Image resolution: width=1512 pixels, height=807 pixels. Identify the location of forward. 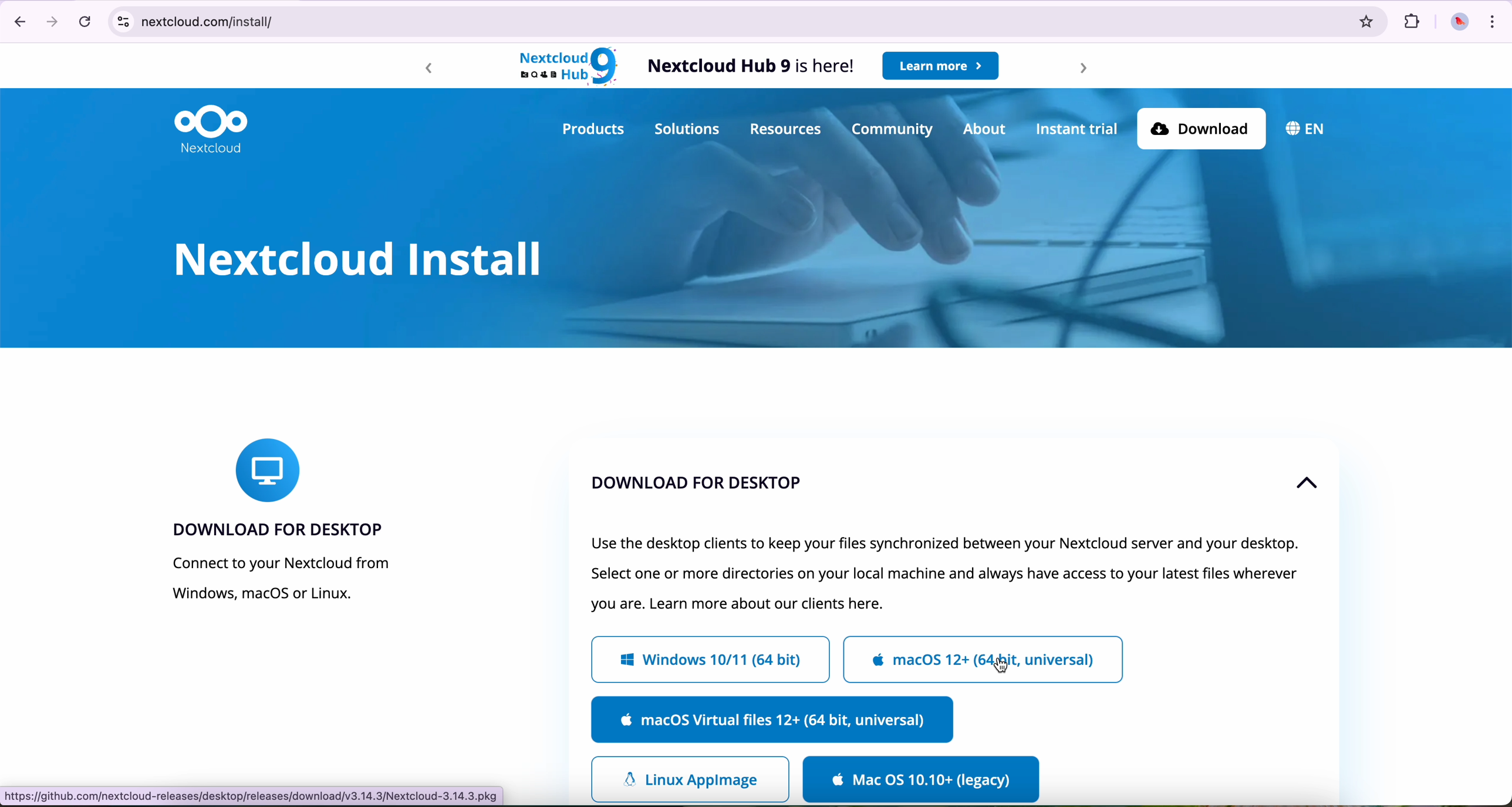
(1076, 70).